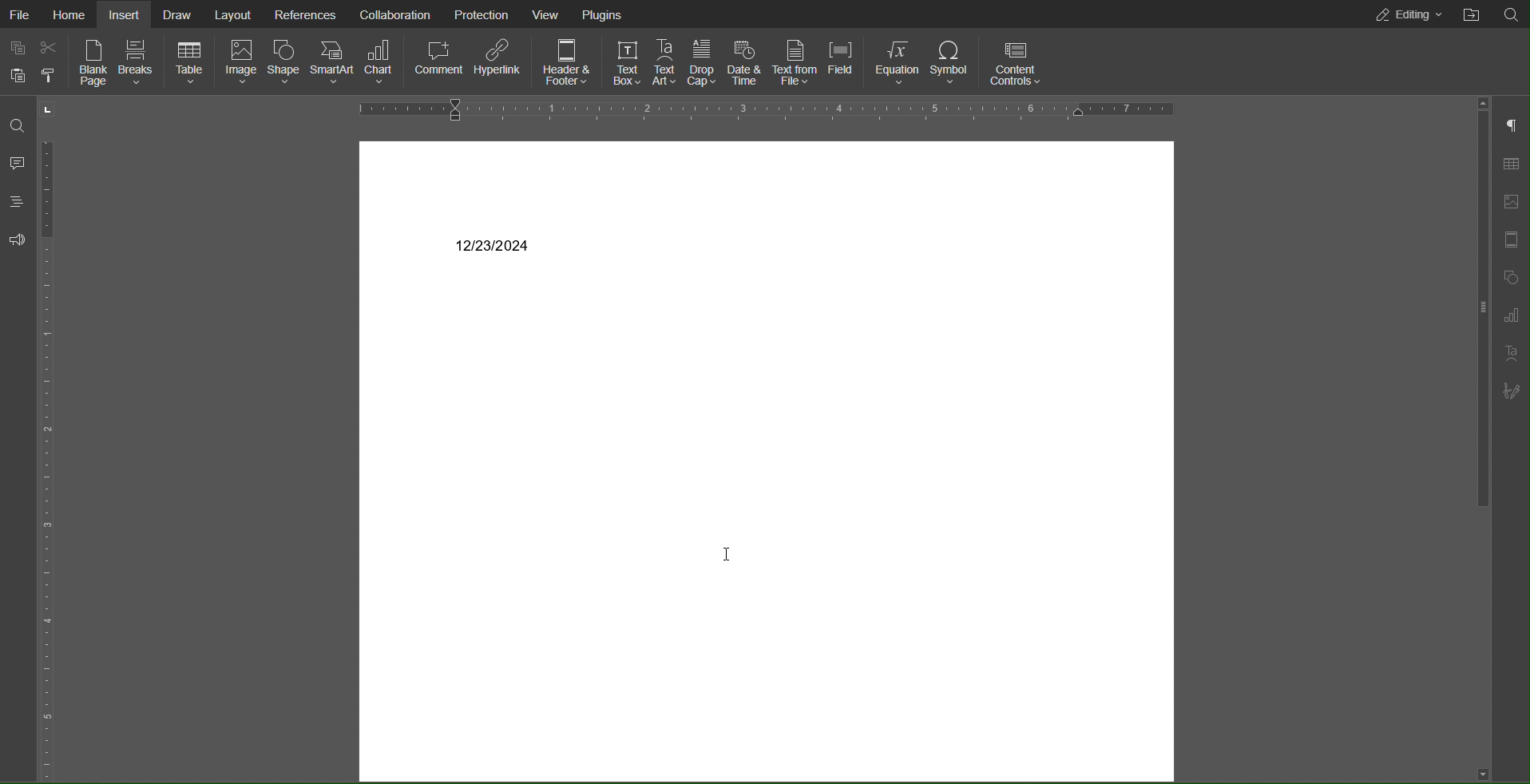 The width and height of the screenshot is (1530, 784). I want to click on Cursor, so click(731, 559).